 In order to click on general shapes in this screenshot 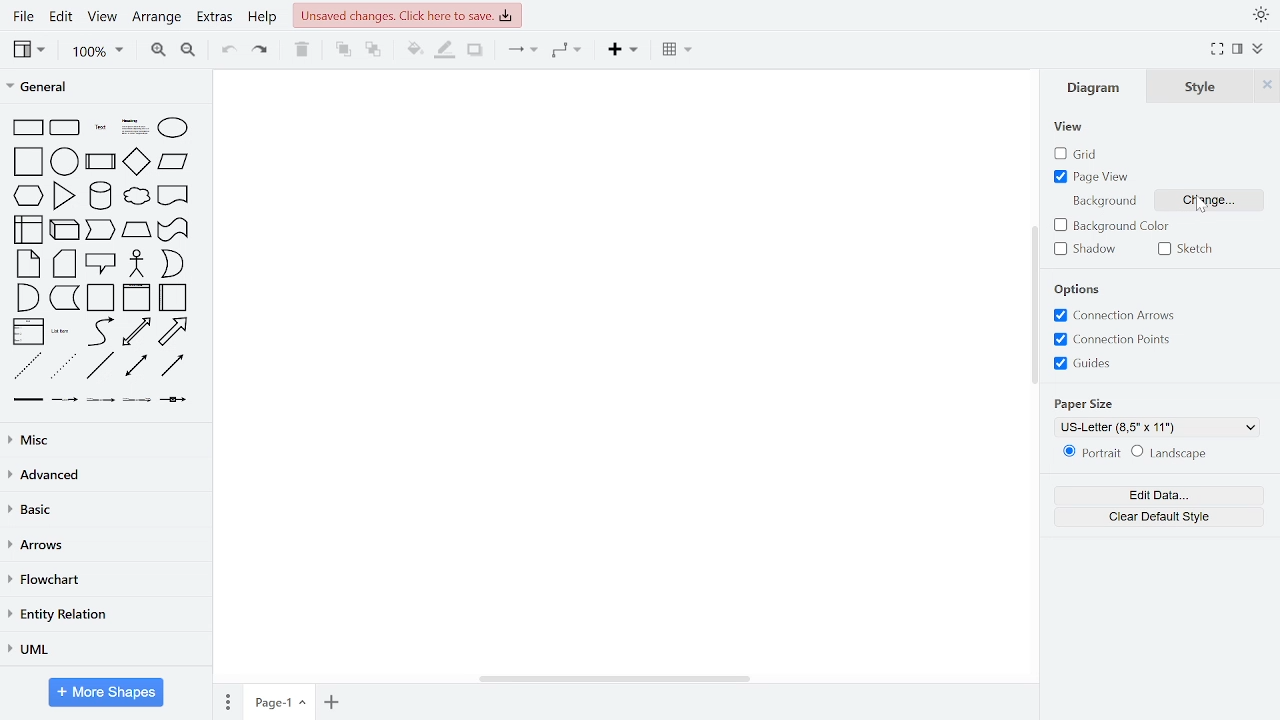, I will do `click(63, 263)`.